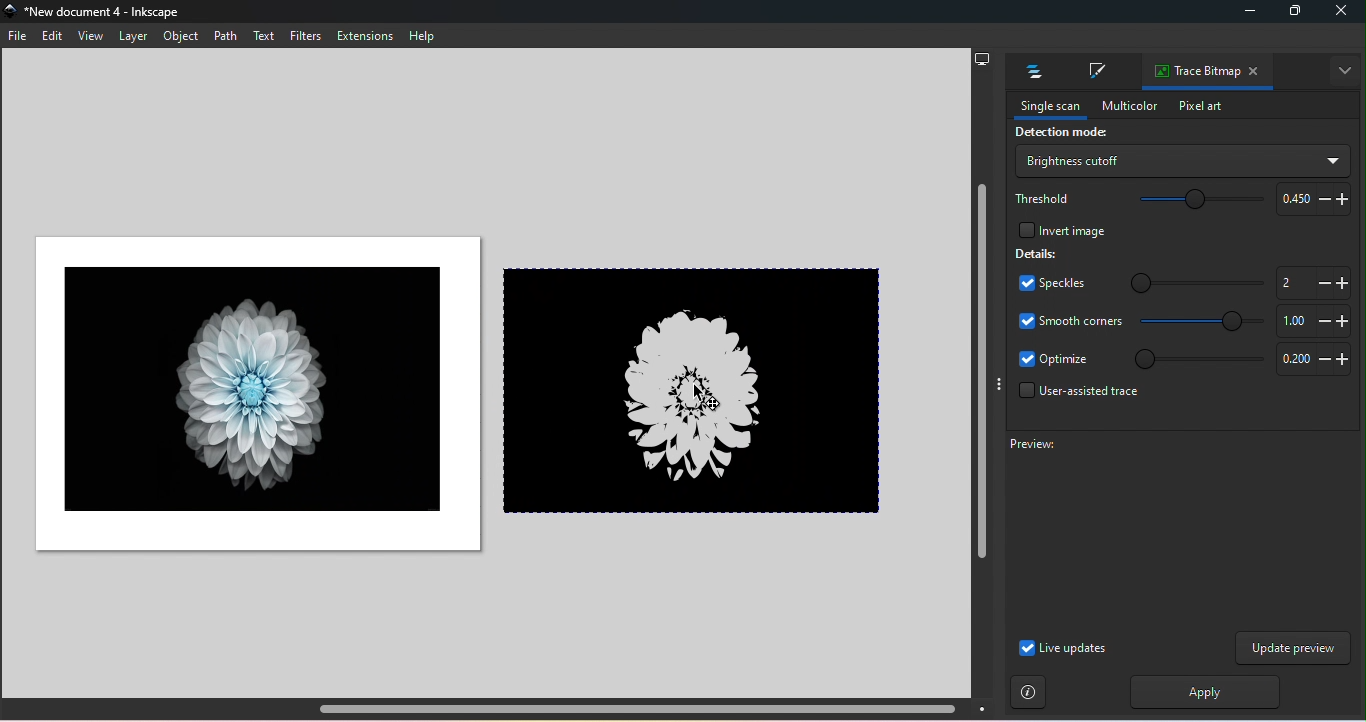 The image size is (1366, 722). What do you see at coordinates (88, 36) in the screenshot?
I see `View` at bounding box center [88, 36].